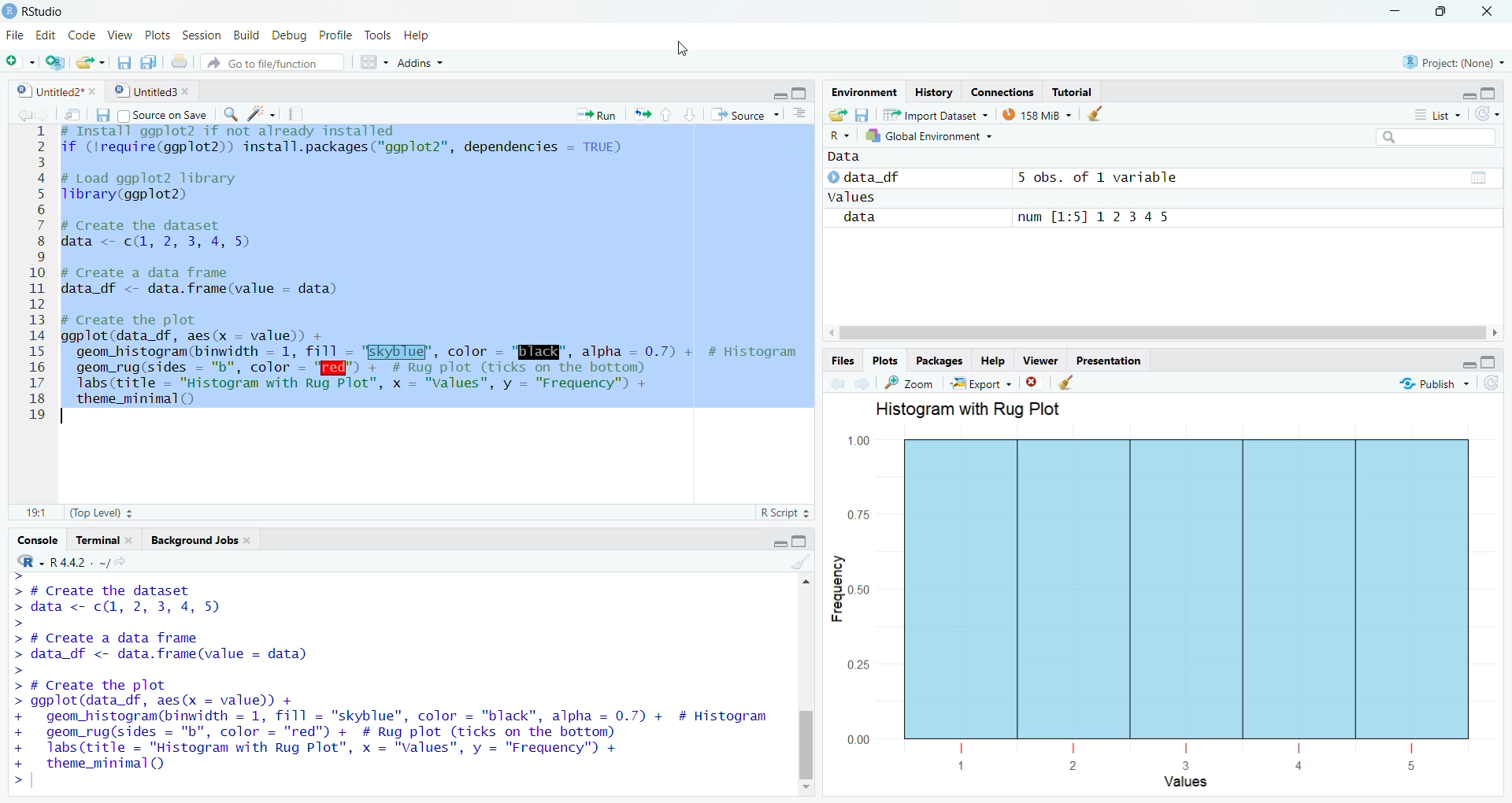 This screenshot has width=1512, height=803. Describe the element at coordinates (74, 114) in the screenshot. I see `` at that location.